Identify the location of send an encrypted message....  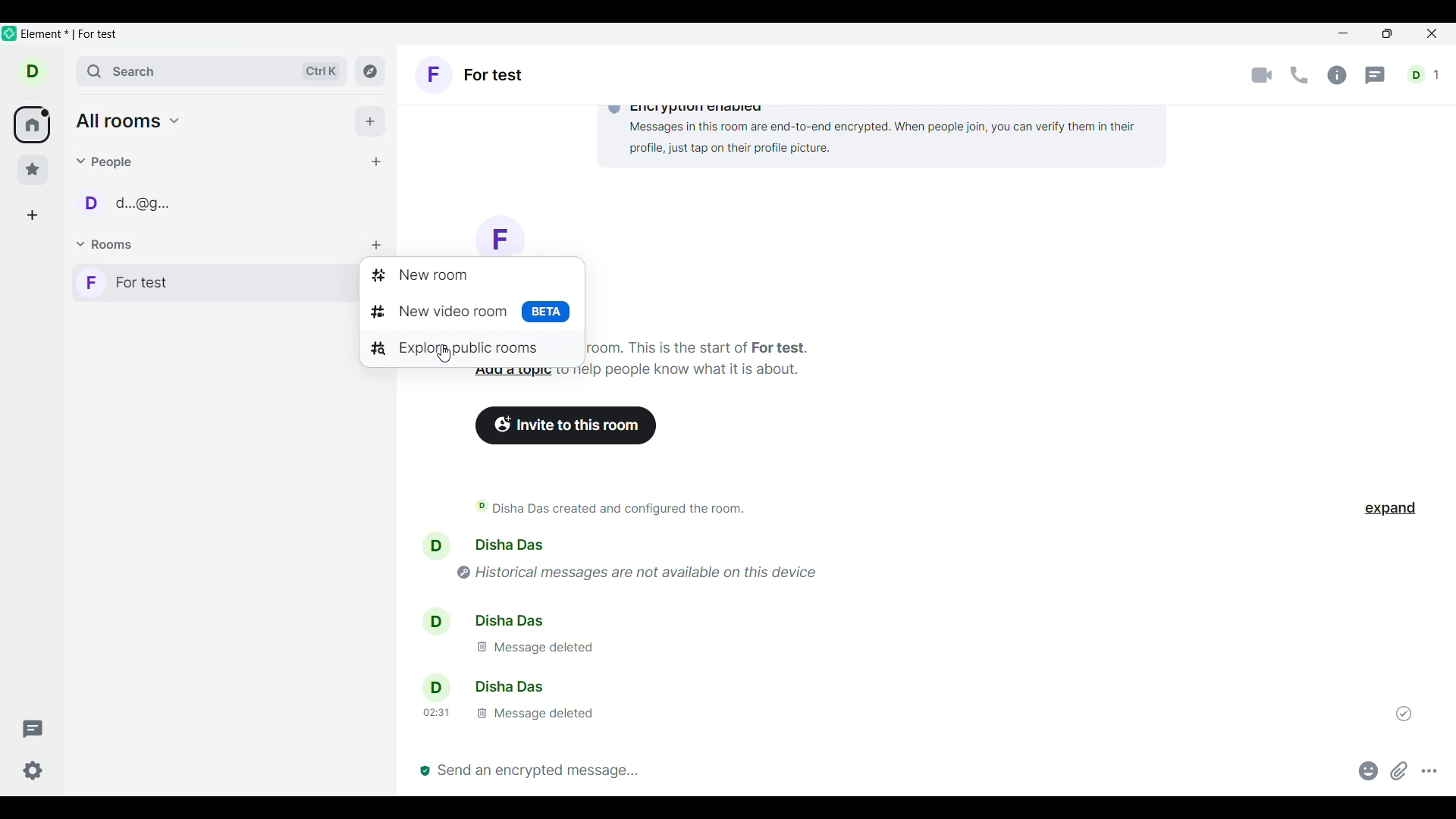
(880, 770).